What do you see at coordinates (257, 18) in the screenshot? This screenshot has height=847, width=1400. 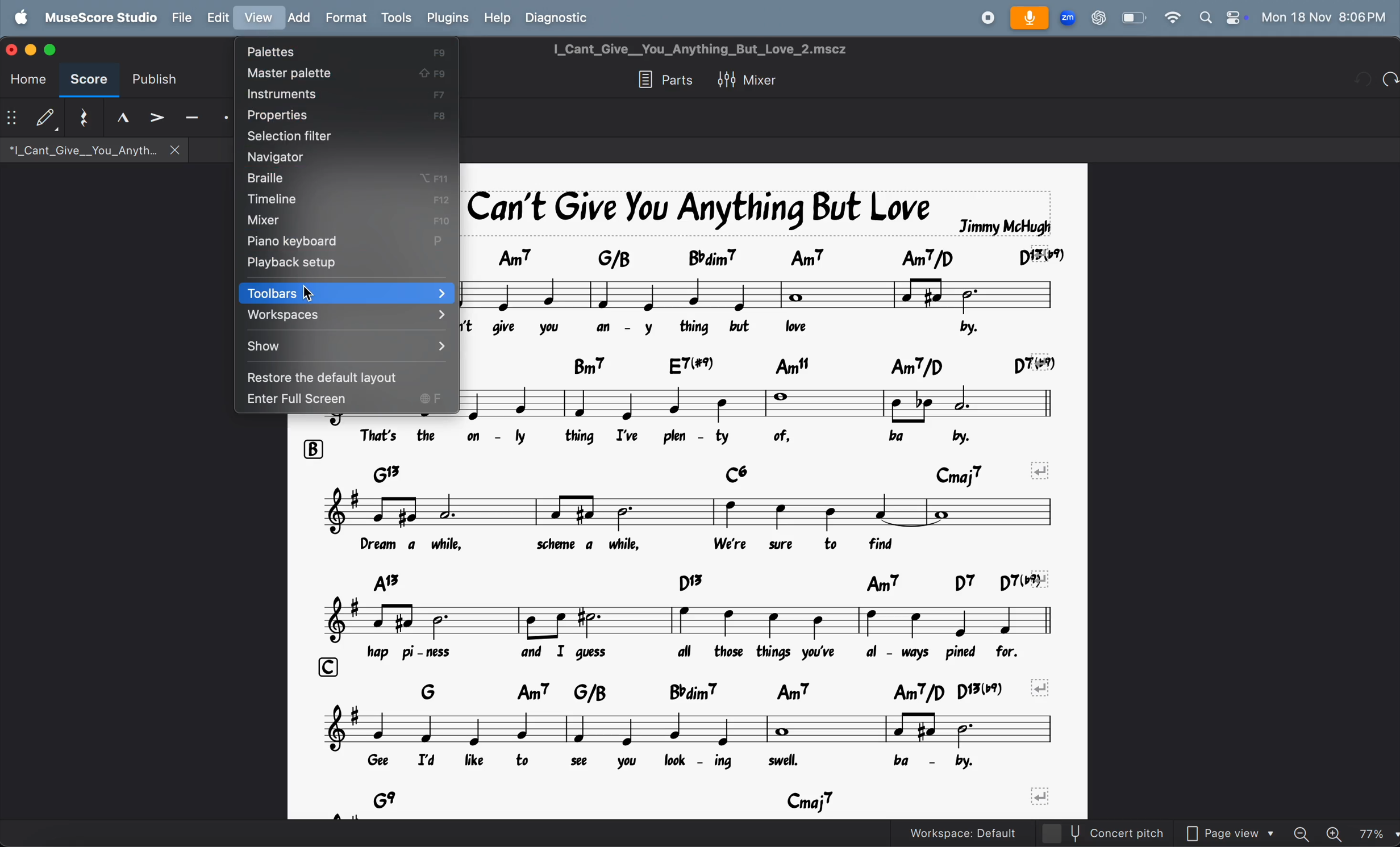 I see `view` at bounding box center [257, 18].